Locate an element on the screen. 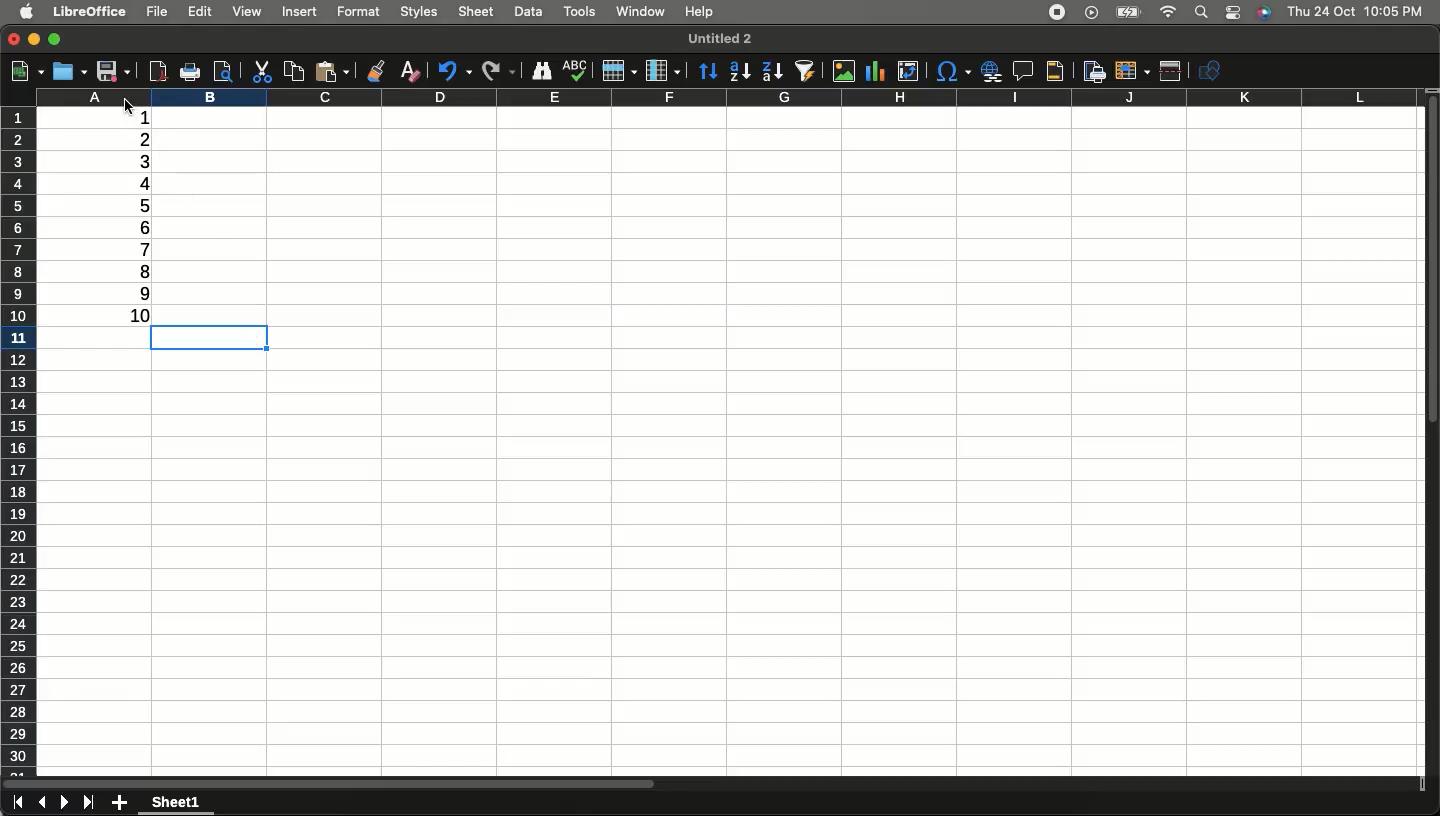 The height and width of the screenshot is (816, 1440). Minimize is located at coordinates (35, 41).